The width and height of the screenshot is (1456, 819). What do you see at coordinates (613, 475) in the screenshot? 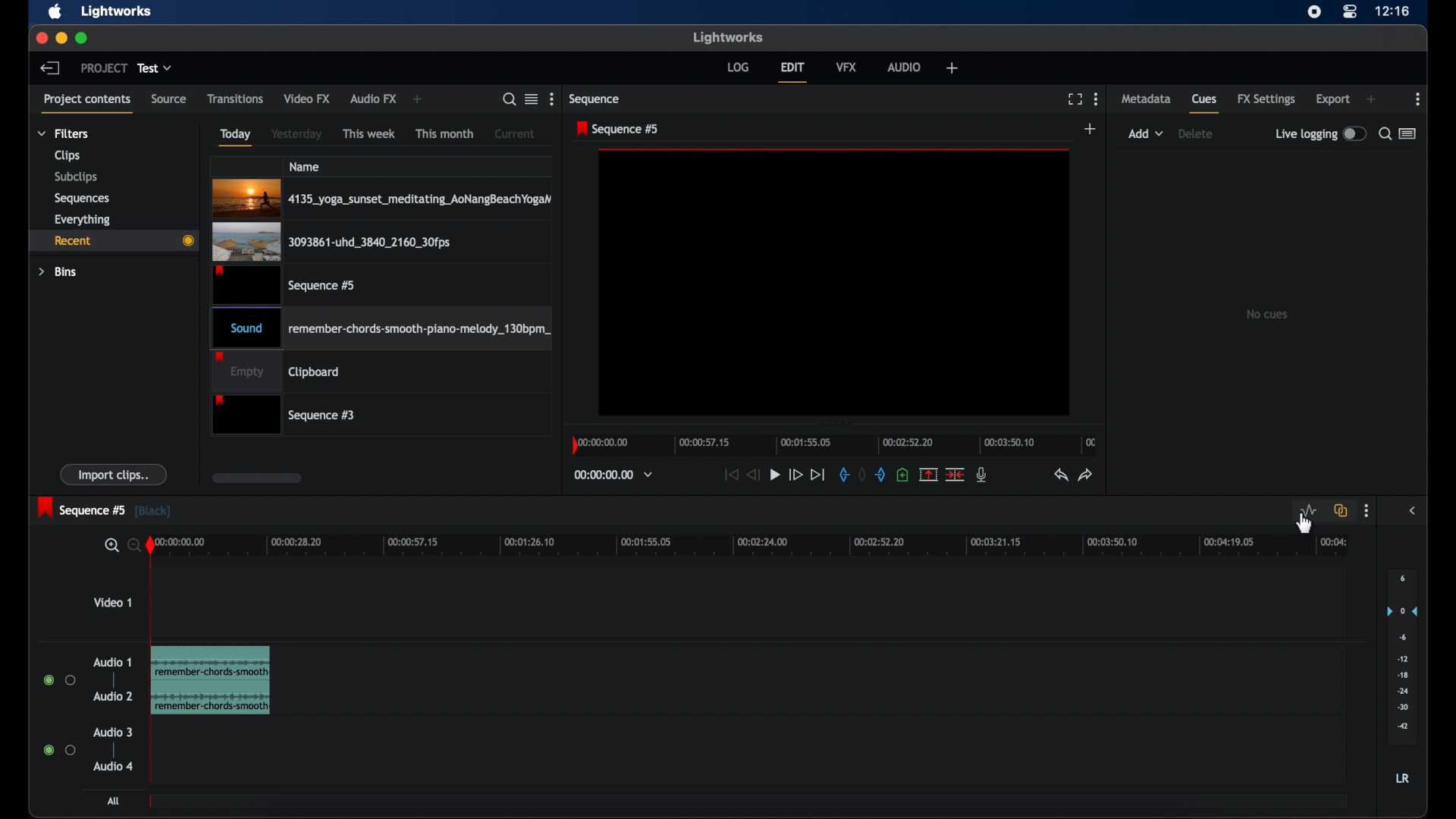
I see `timecodes and reels` at bounding box center [613, 475].